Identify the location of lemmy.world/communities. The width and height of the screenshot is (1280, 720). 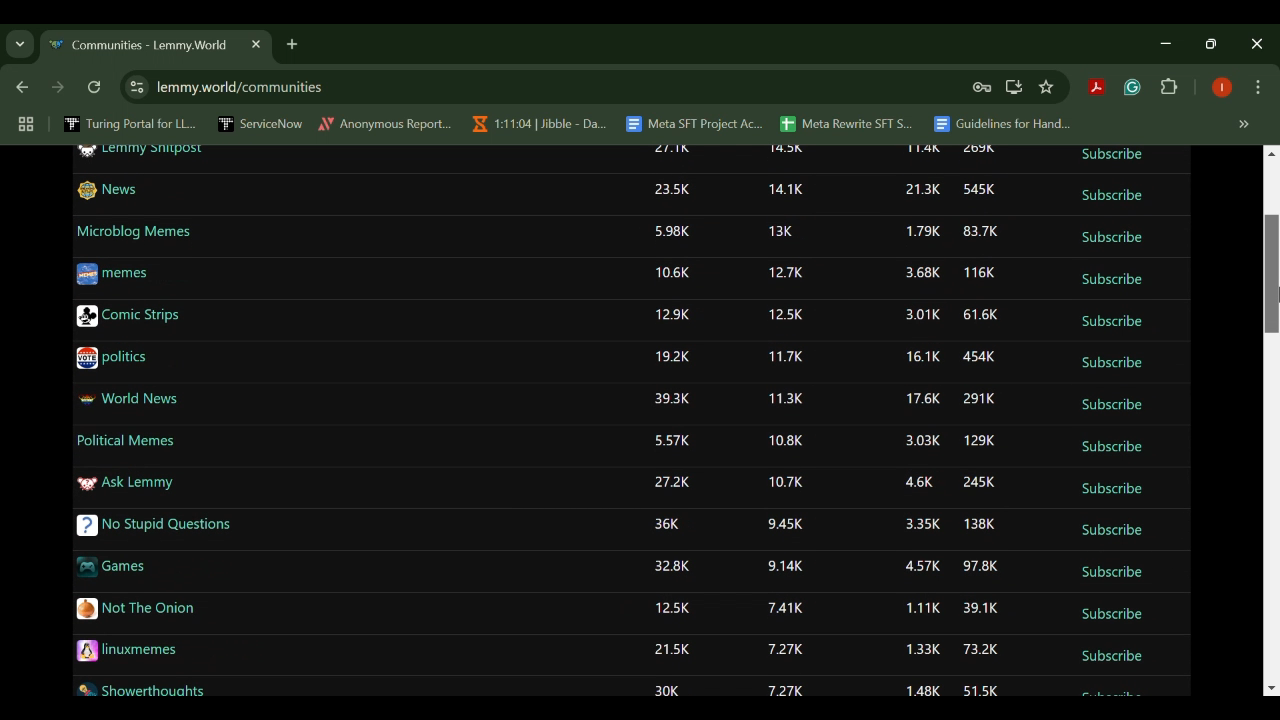
(242, 86).